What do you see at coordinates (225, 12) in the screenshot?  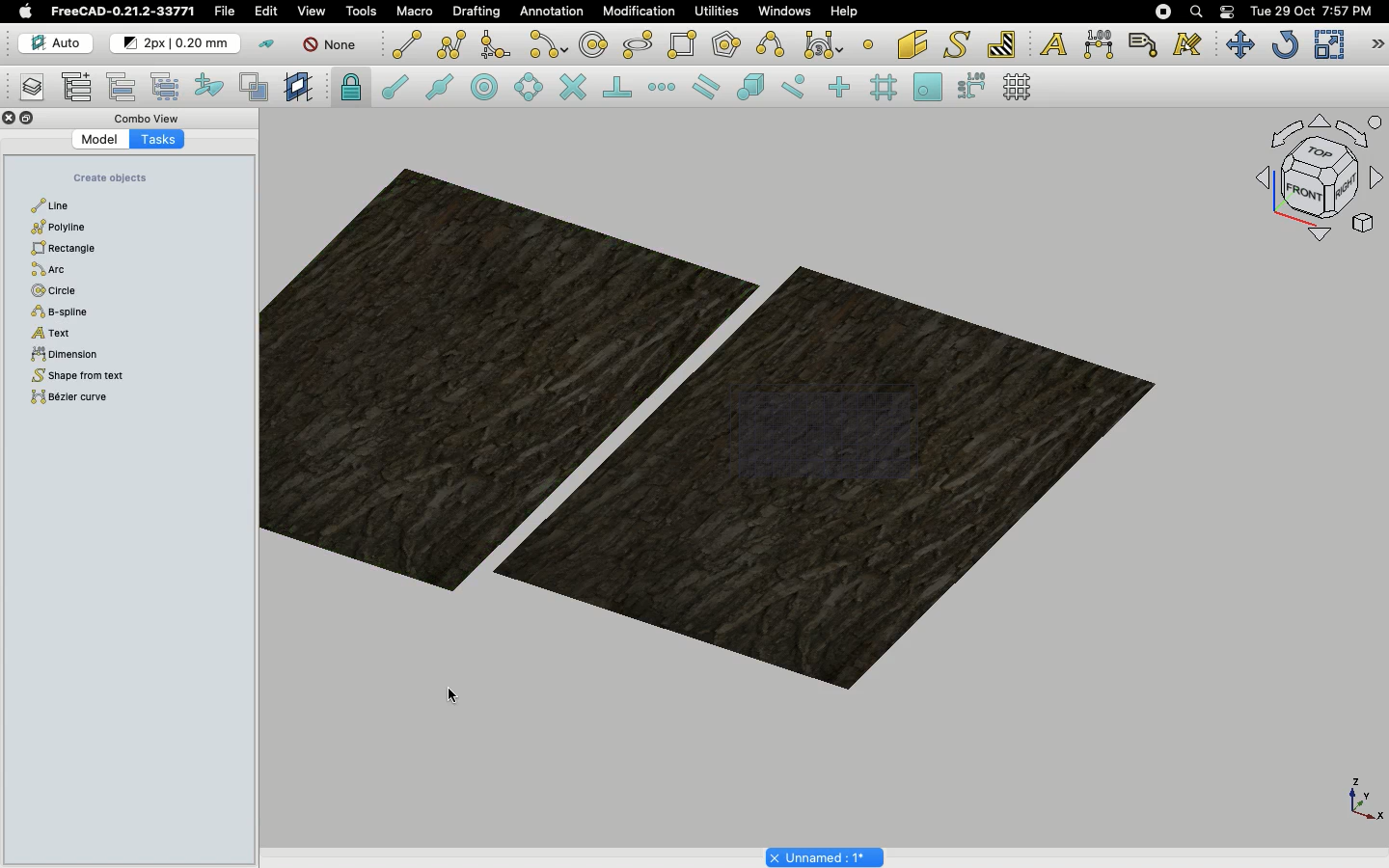 I see `File` at bounding box center [225, 12].